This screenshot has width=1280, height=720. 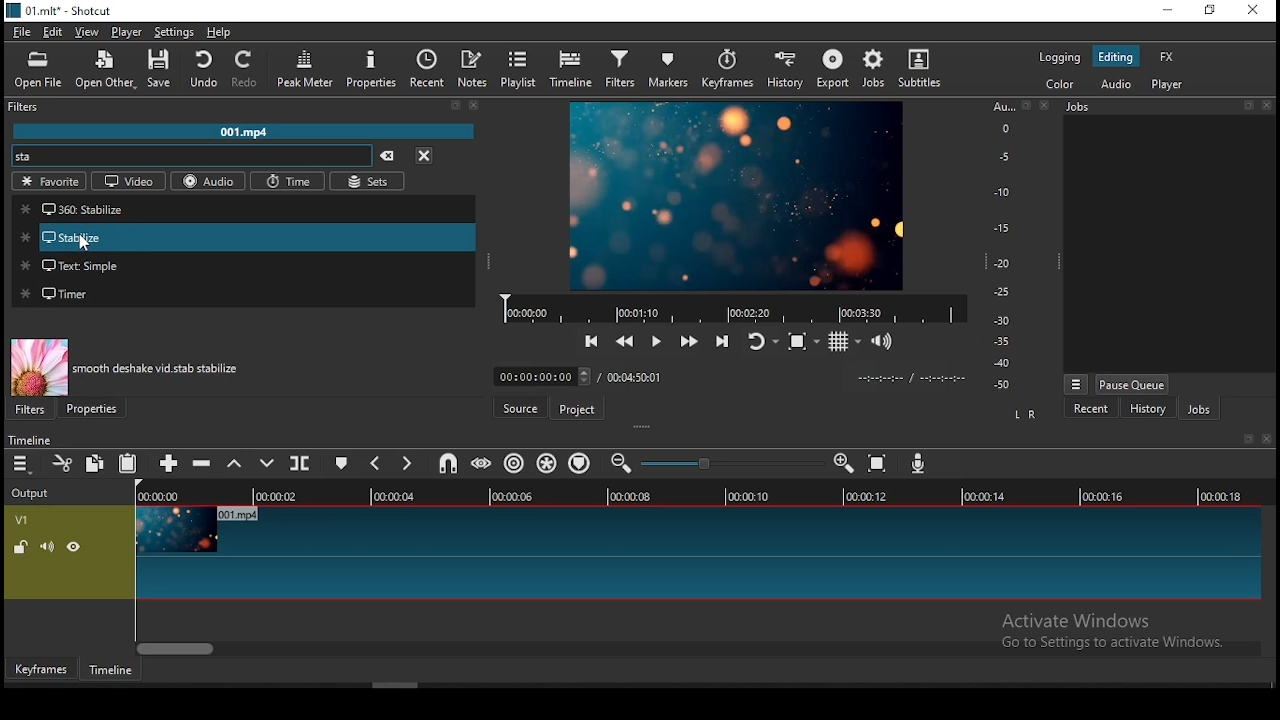 I want to click on timeline menu, so click(x=23, y=464).